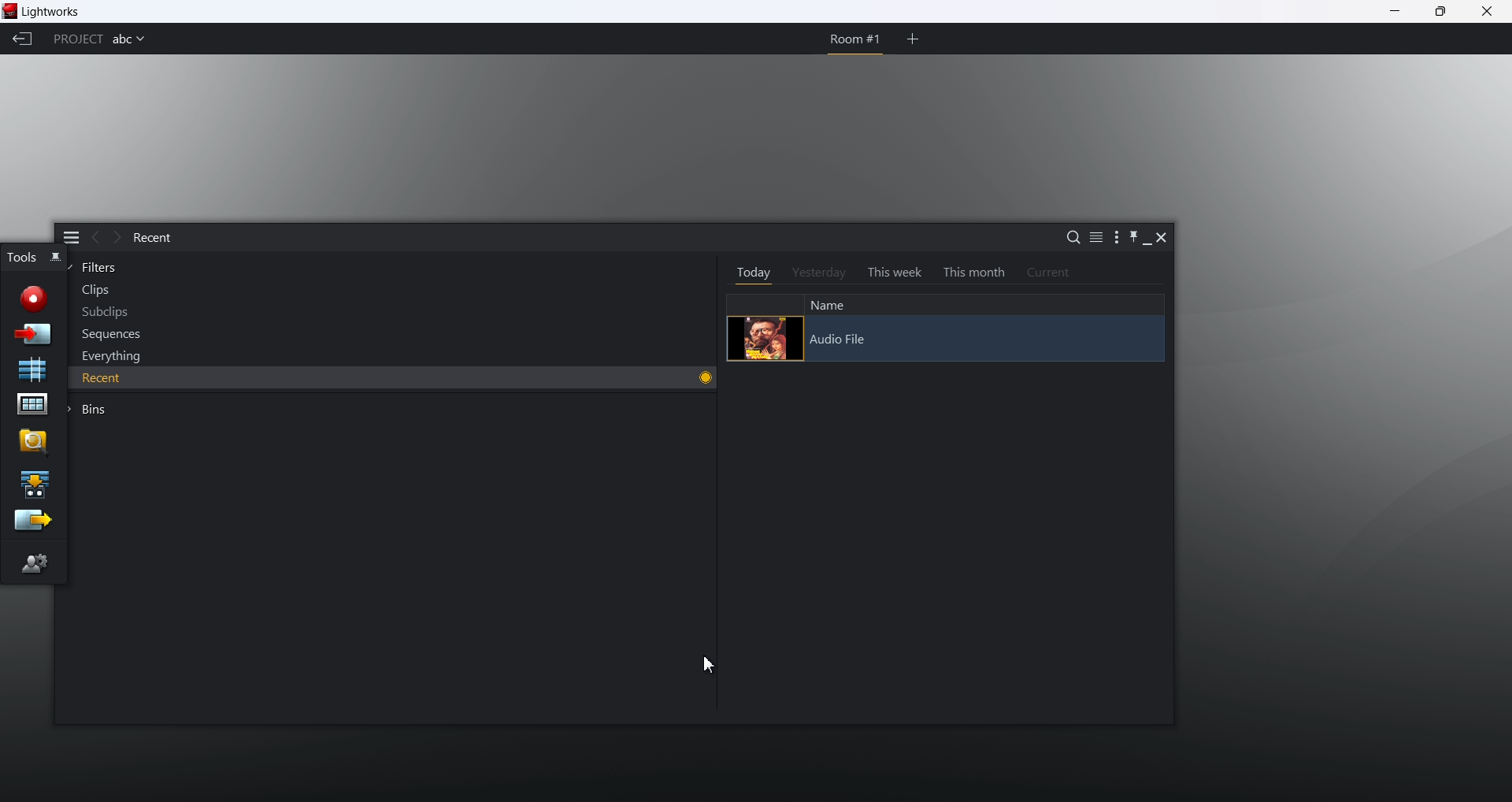  Describe the element at coordinates (87, 410) in the screenshot. I see `bins` at that location.